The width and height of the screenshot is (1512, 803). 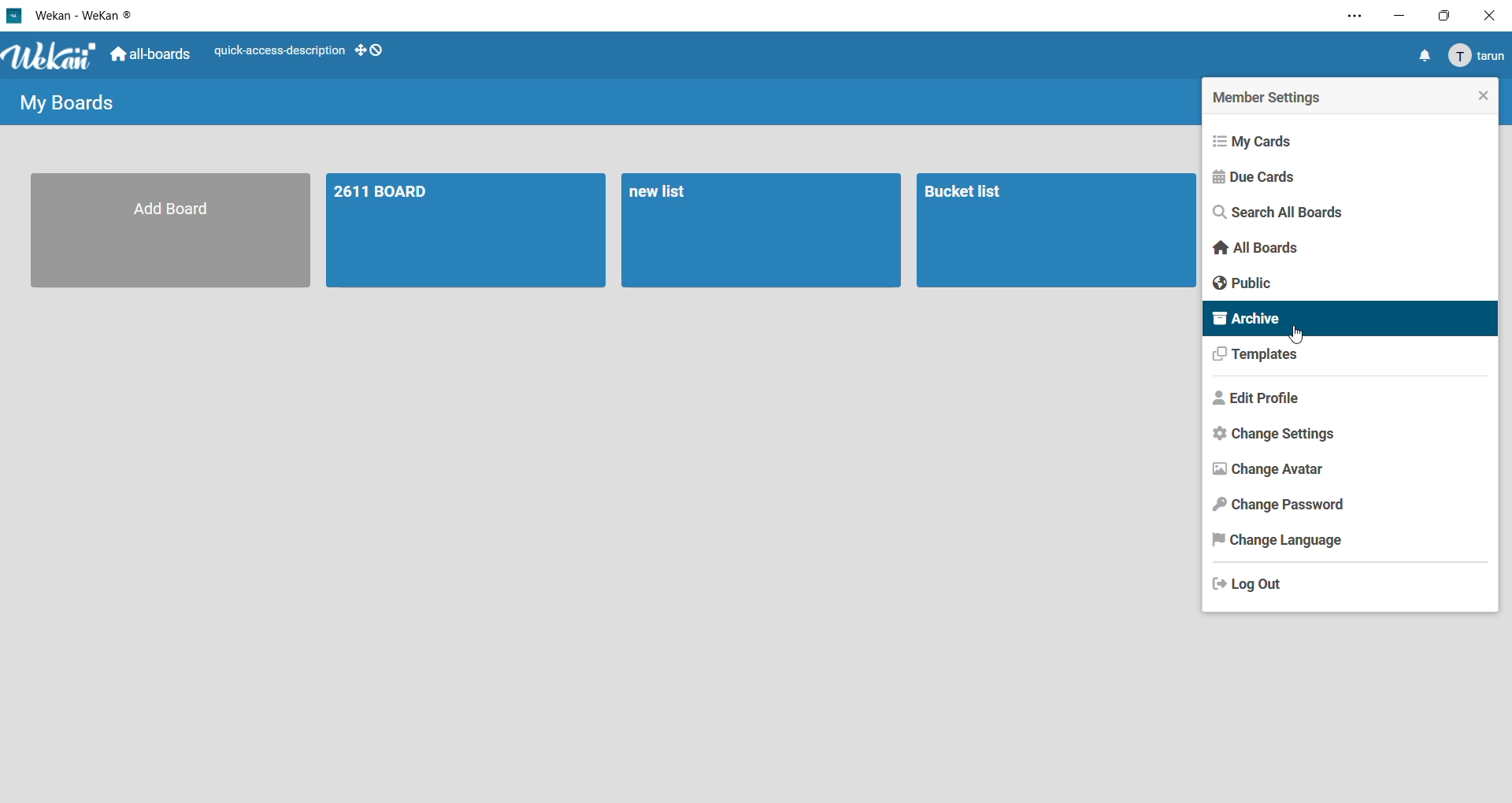 I want to click on board 1- 2611 board, so click(x=470, y=230).